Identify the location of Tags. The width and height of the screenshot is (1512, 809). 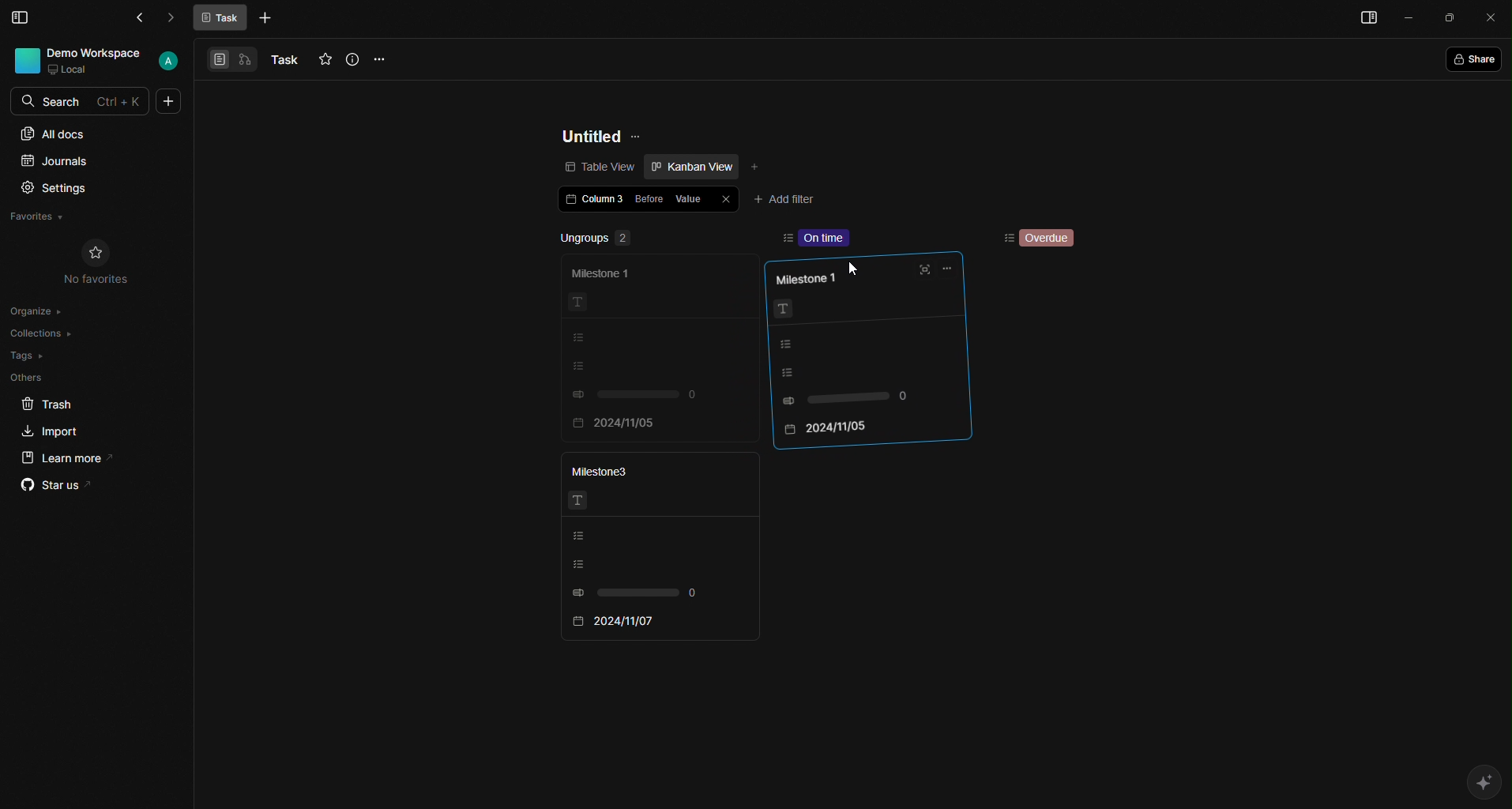
(31, 356).